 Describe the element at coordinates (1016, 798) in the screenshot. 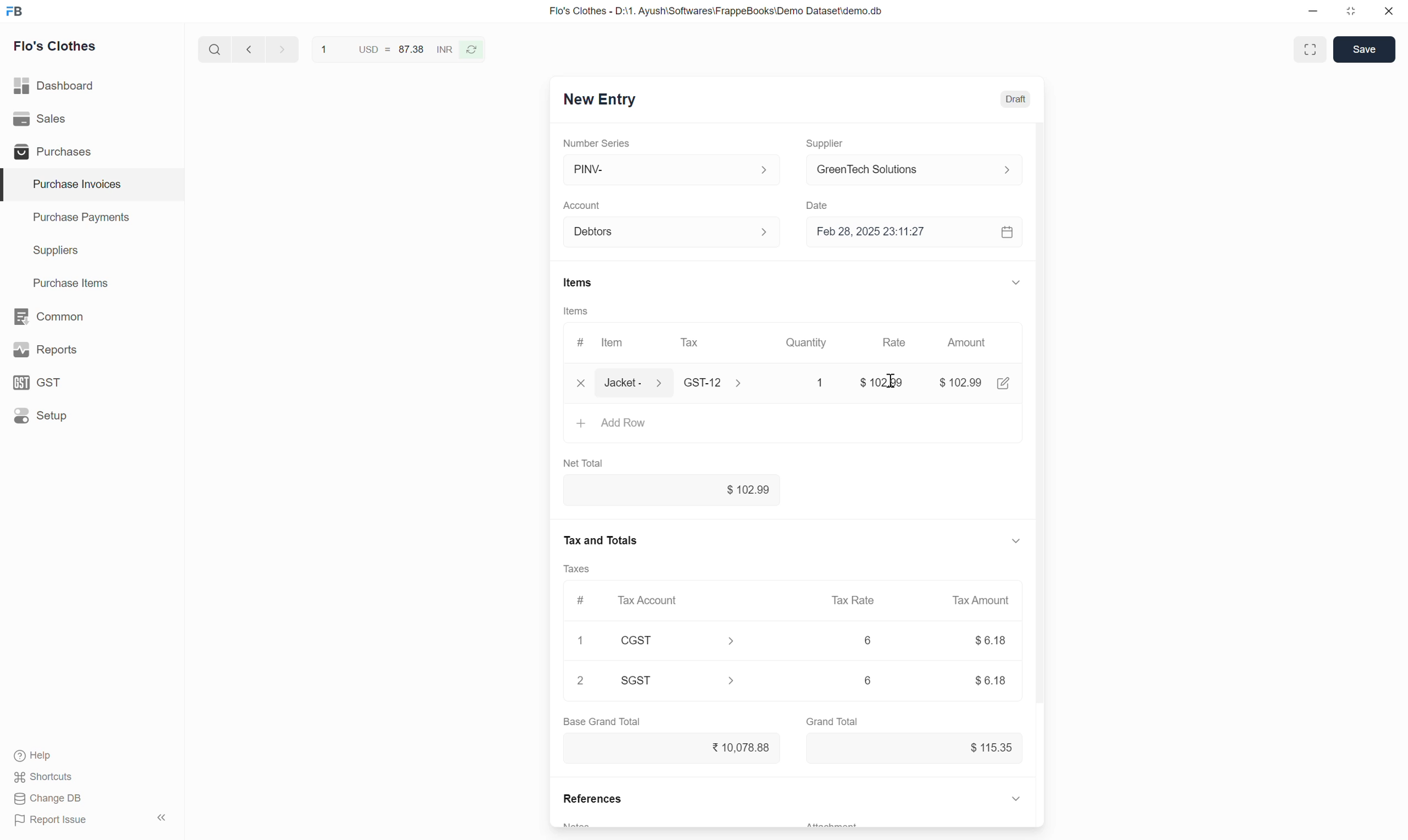

I see `Collapse` at that location.